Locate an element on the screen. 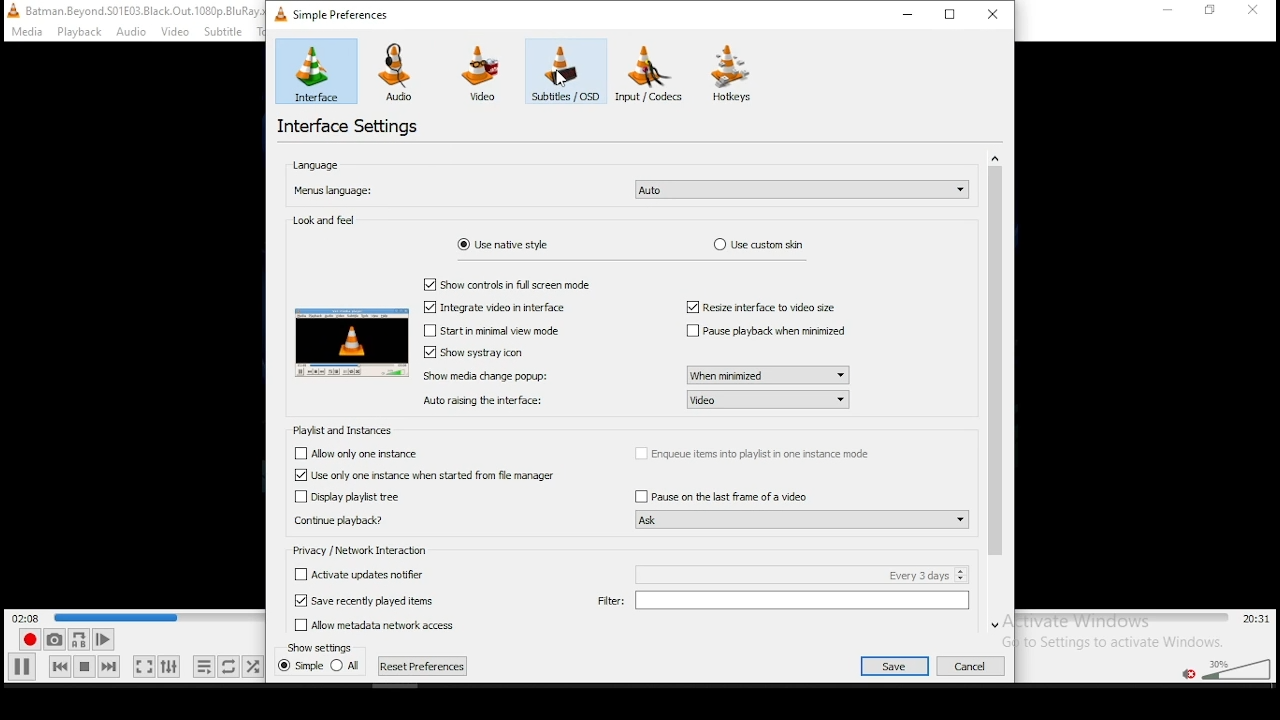 The height and width of the screenshot is (720, 1280). play/pause is located at coordinates (23, 666).